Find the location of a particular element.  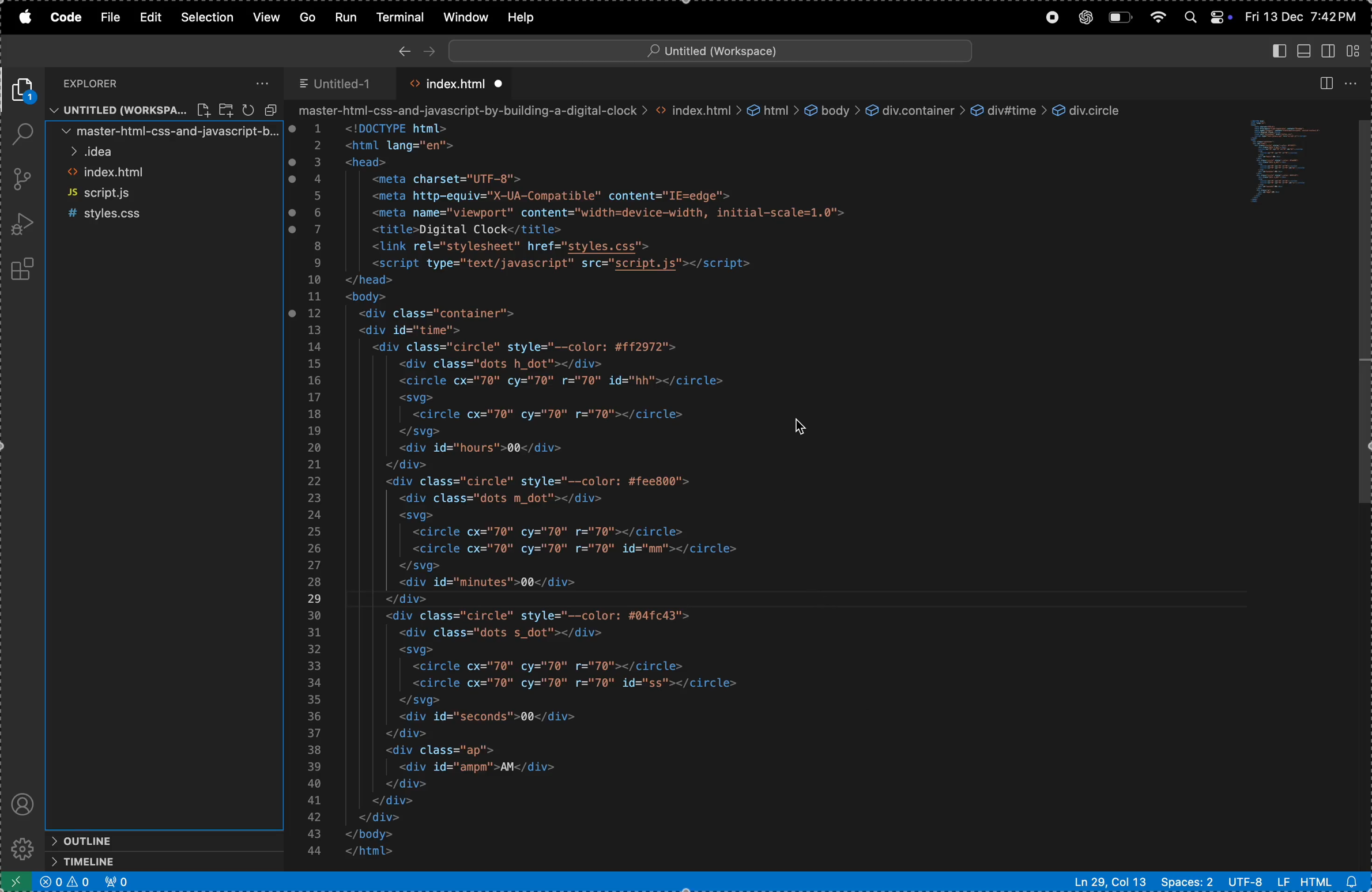

utf 8 is located at coordinates (1257, 881).